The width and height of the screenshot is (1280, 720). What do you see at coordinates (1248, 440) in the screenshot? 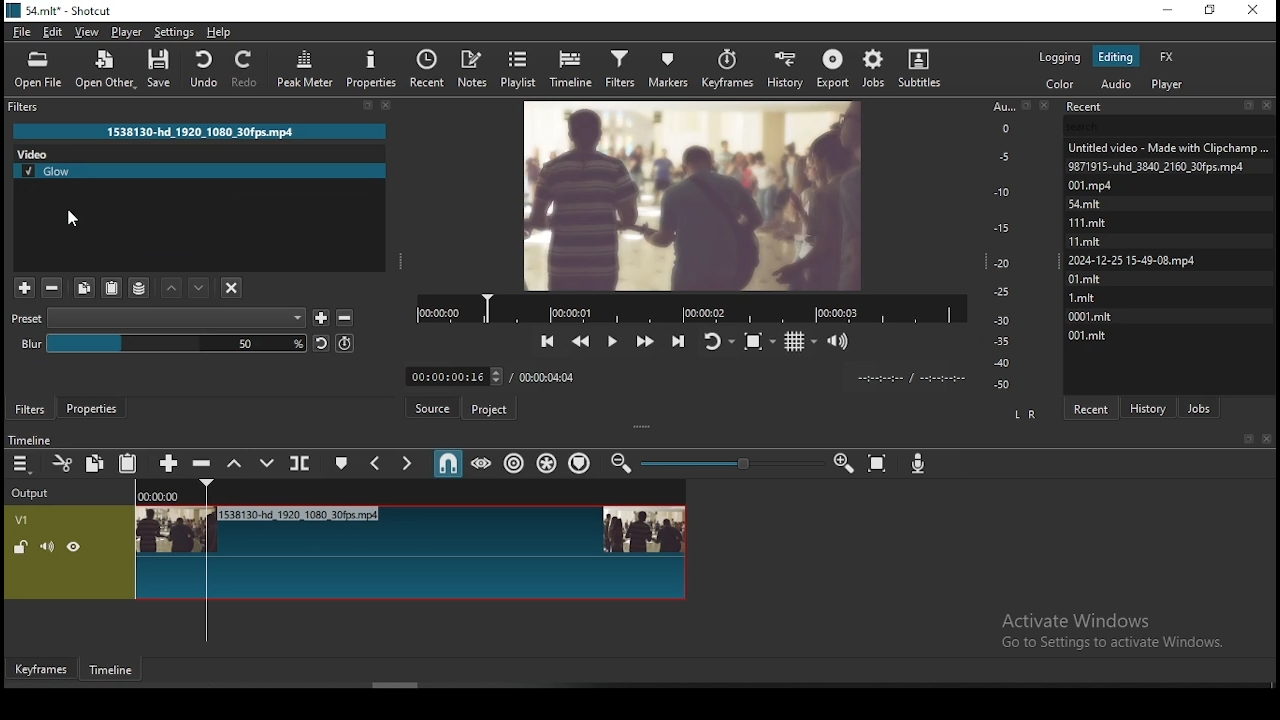
I see `bookmark` at bounding box center [1248, 440].